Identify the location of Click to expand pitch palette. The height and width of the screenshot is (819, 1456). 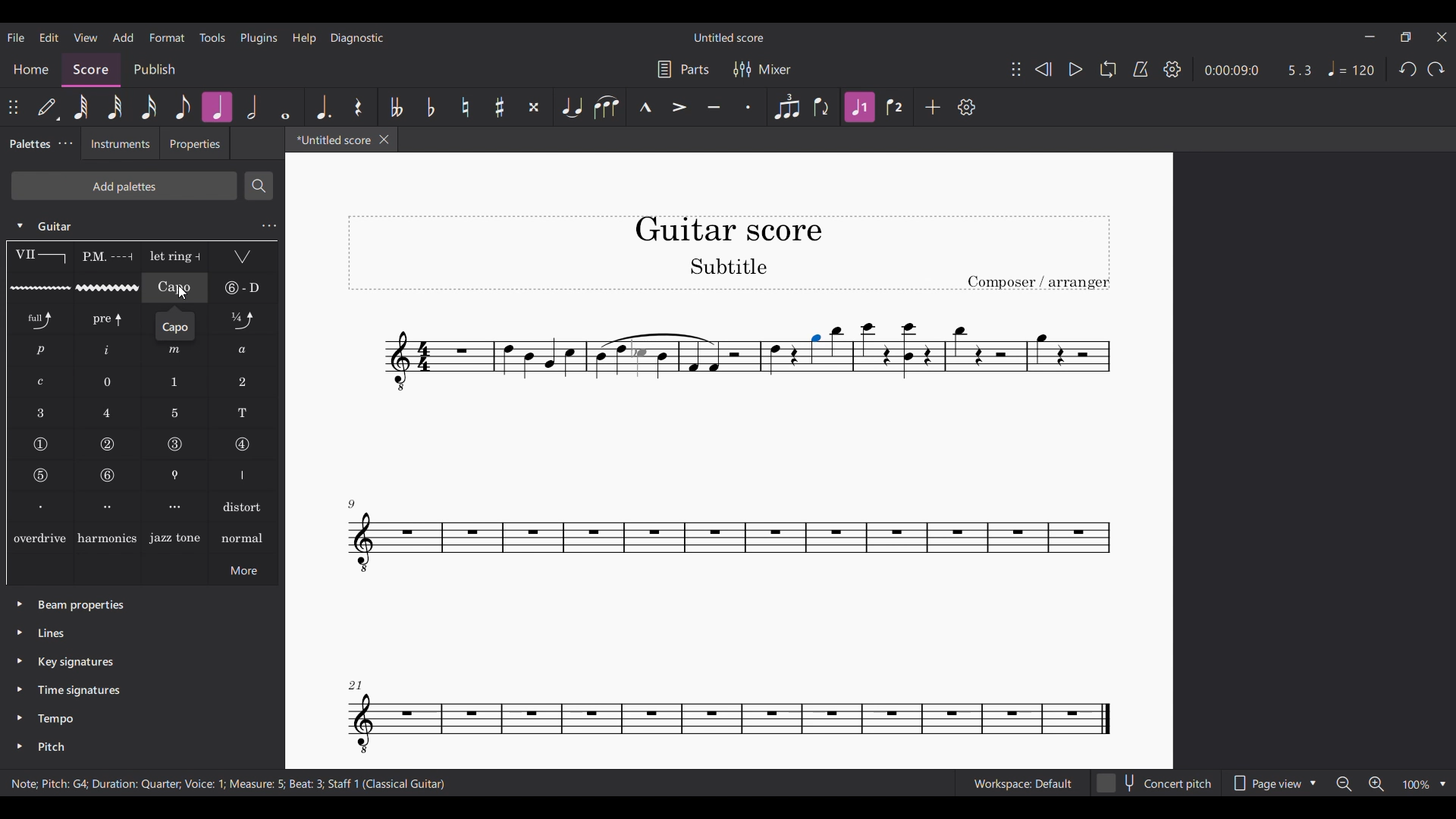
(20, 746).